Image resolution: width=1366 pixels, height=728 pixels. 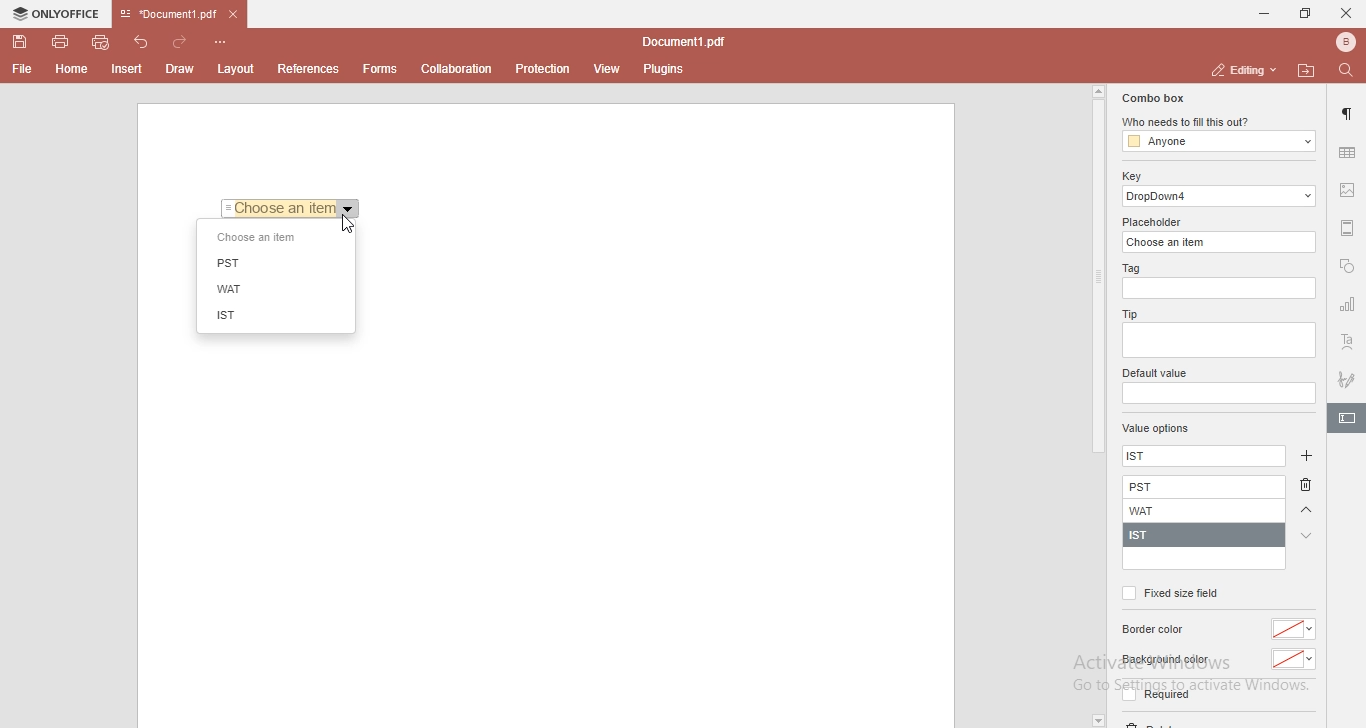 I want to click on plugins, so click(x=664, y=70).